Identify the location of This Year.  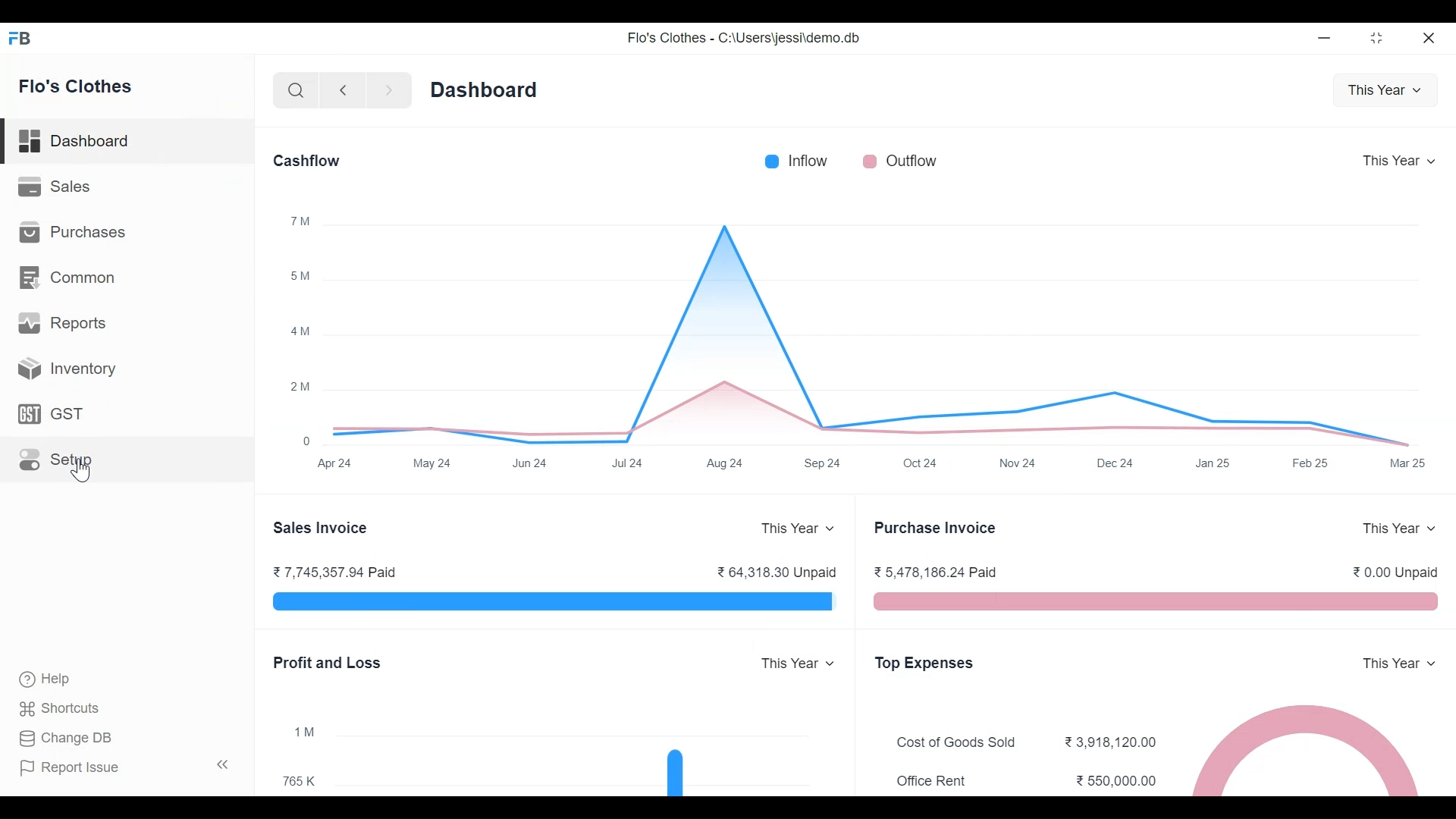
(792, 530).